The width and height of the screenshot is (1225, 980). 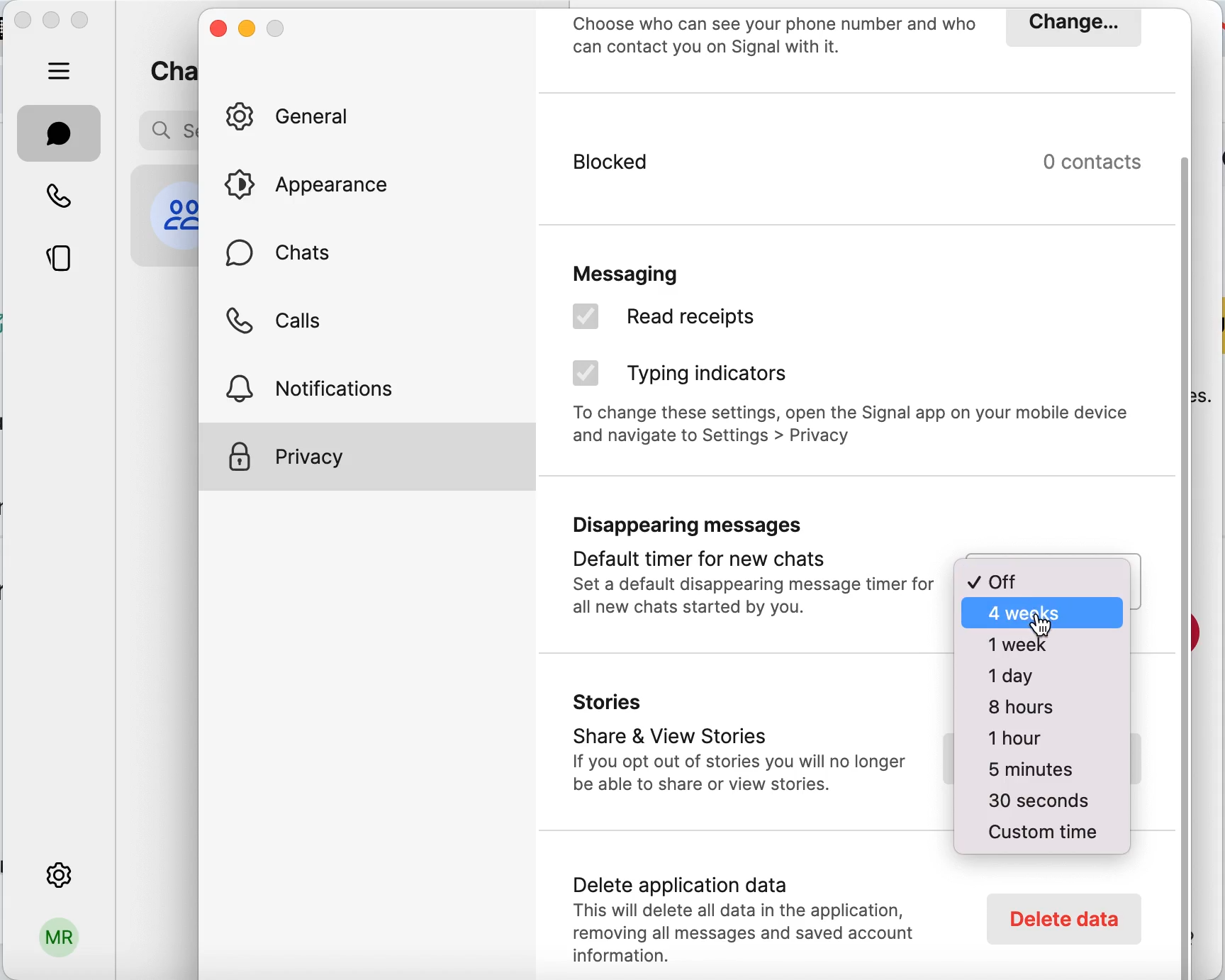 I want to click on stories, so click(x=61, y=261).